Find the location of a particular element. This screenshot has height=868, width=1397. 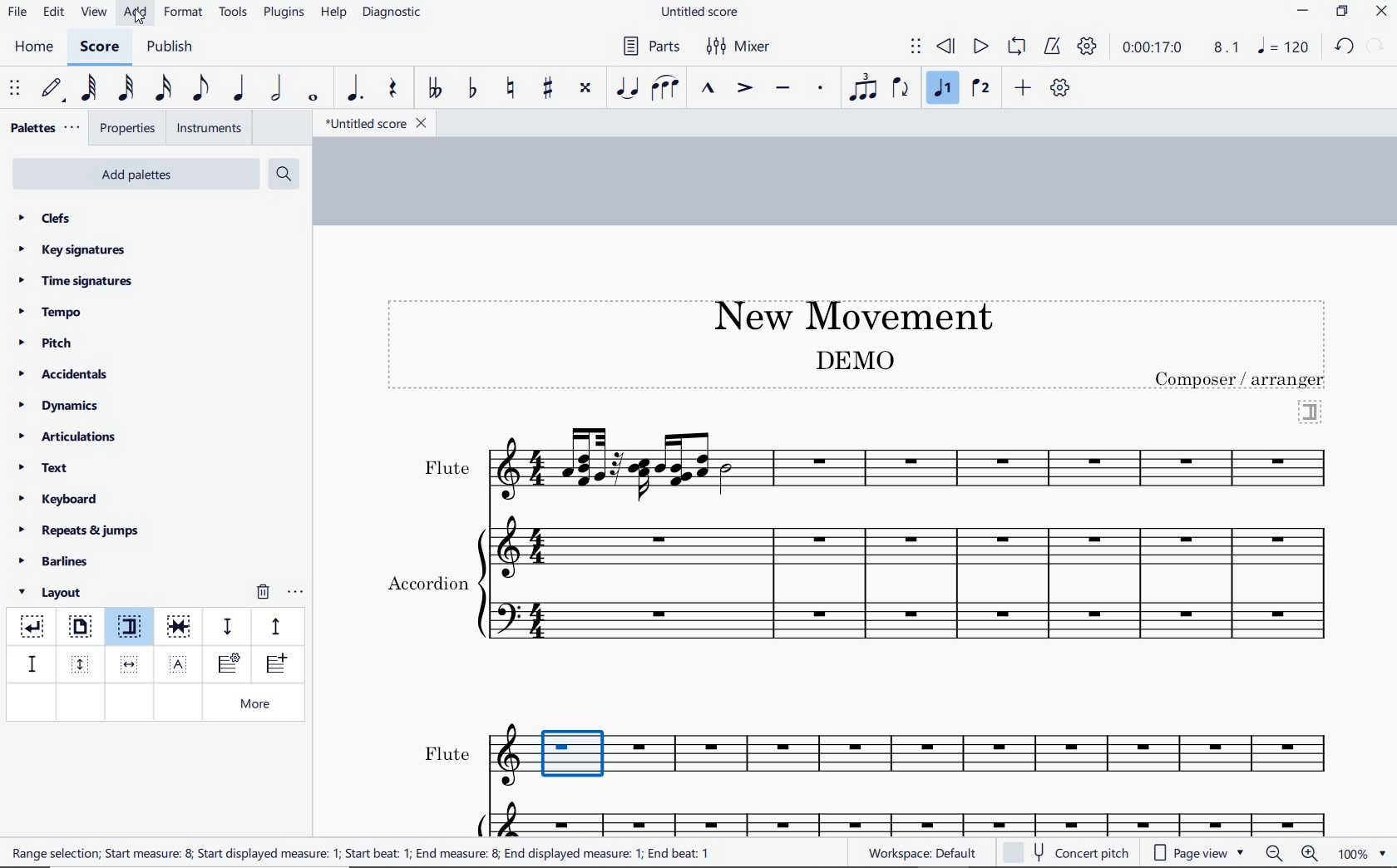

page view is located at coordinates (1199, 853).